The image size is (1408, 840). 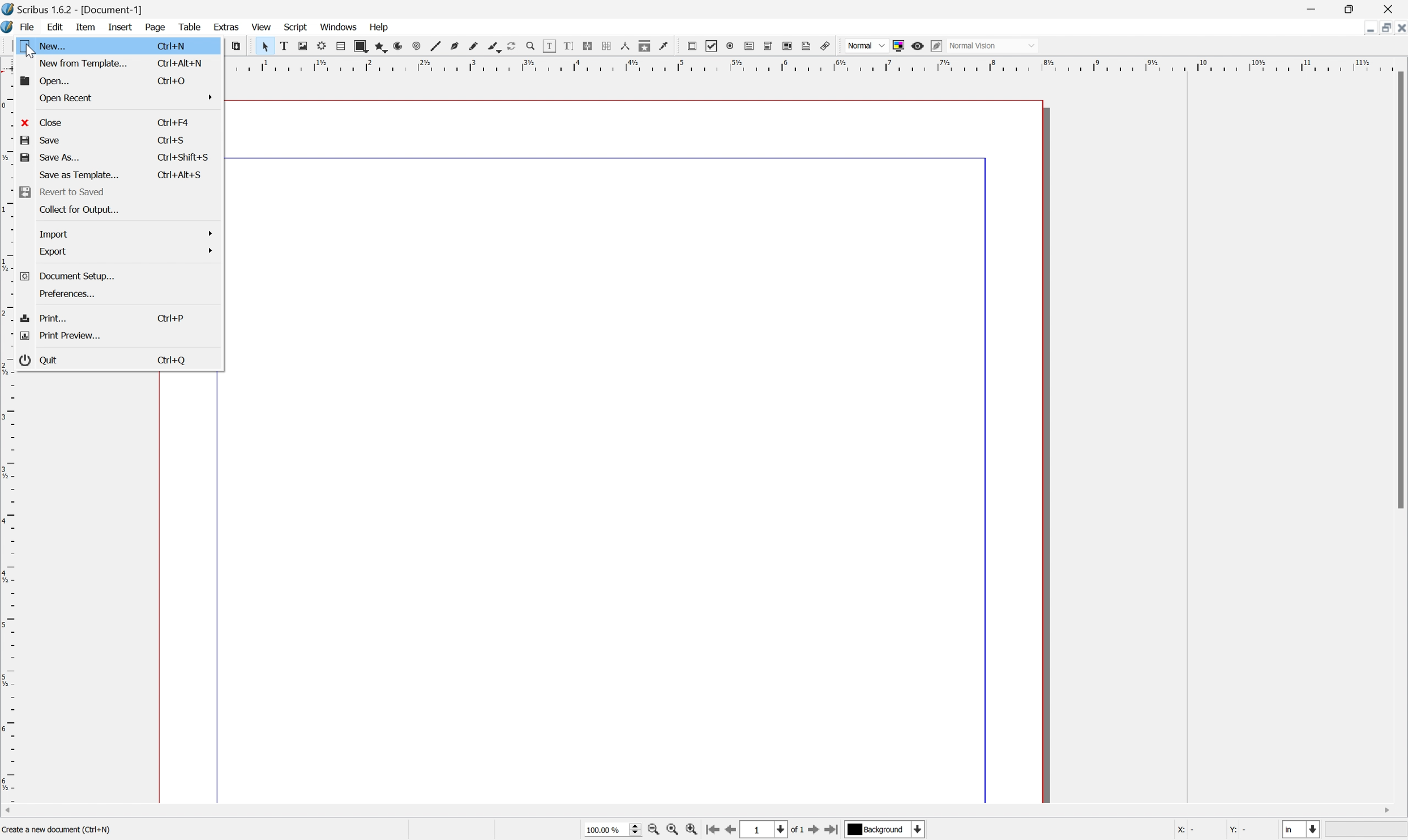 What do you see at coordinates (48, 319) in the screenshot?
I see `Print` at bounding box center [48, 319].